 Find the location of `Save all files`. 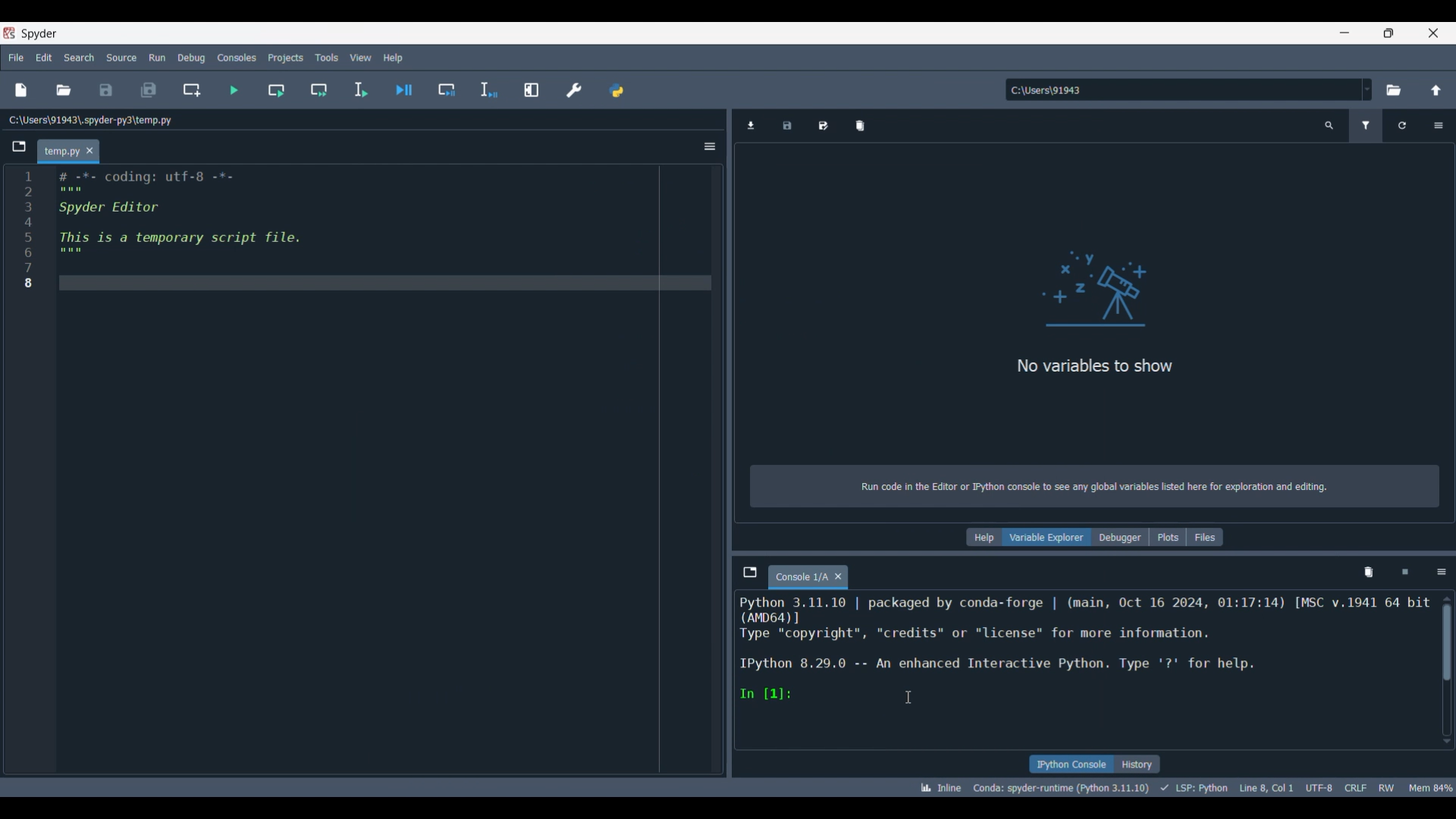

Save all files is located at coordinates (149, 90).